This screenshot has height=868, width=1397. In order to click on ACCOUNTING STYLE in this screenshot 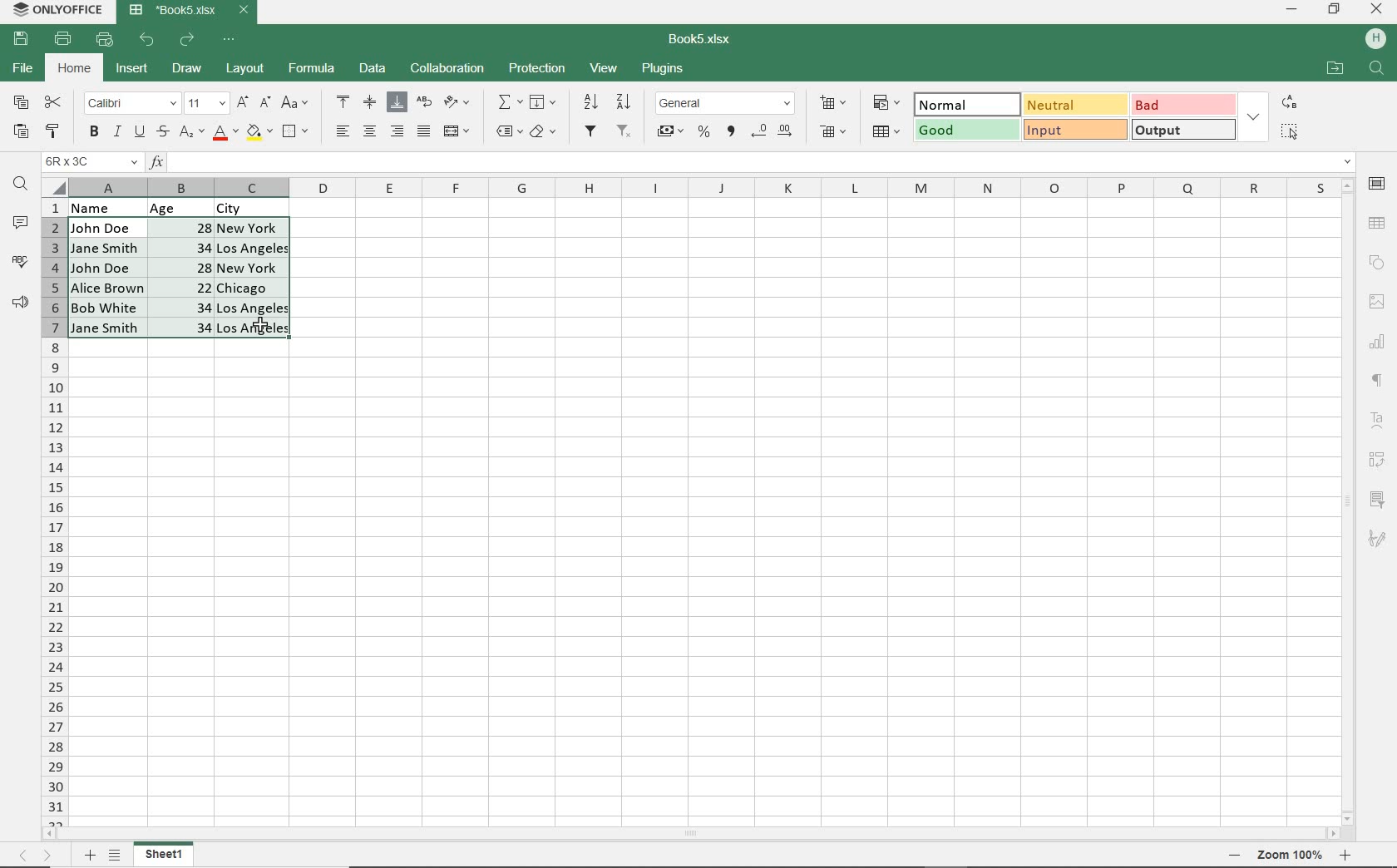, I will do `click(669, 133)`.